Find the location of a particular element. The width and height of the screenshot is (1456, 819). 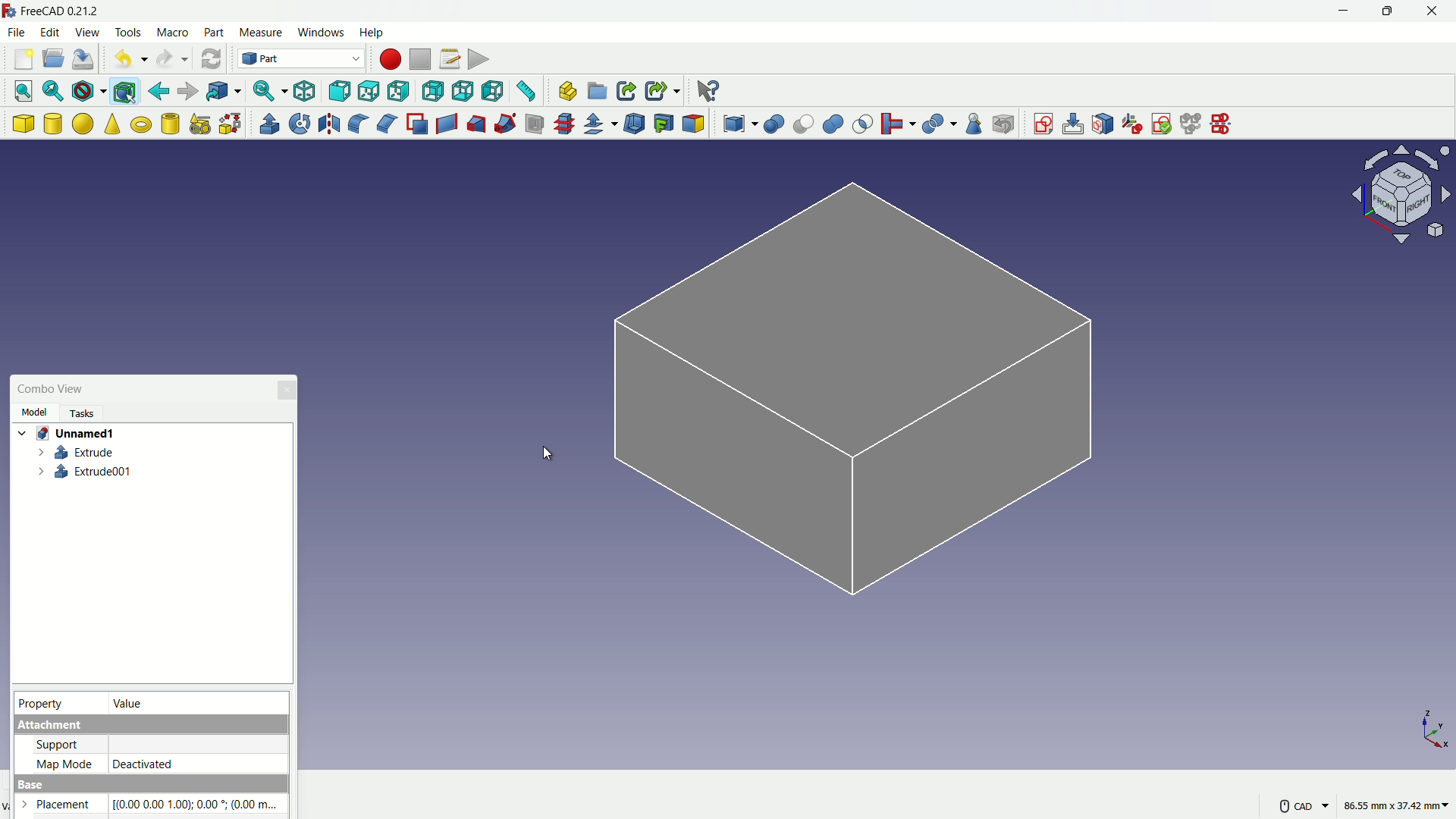

edit sketch is located at coordinates (1072, 124).